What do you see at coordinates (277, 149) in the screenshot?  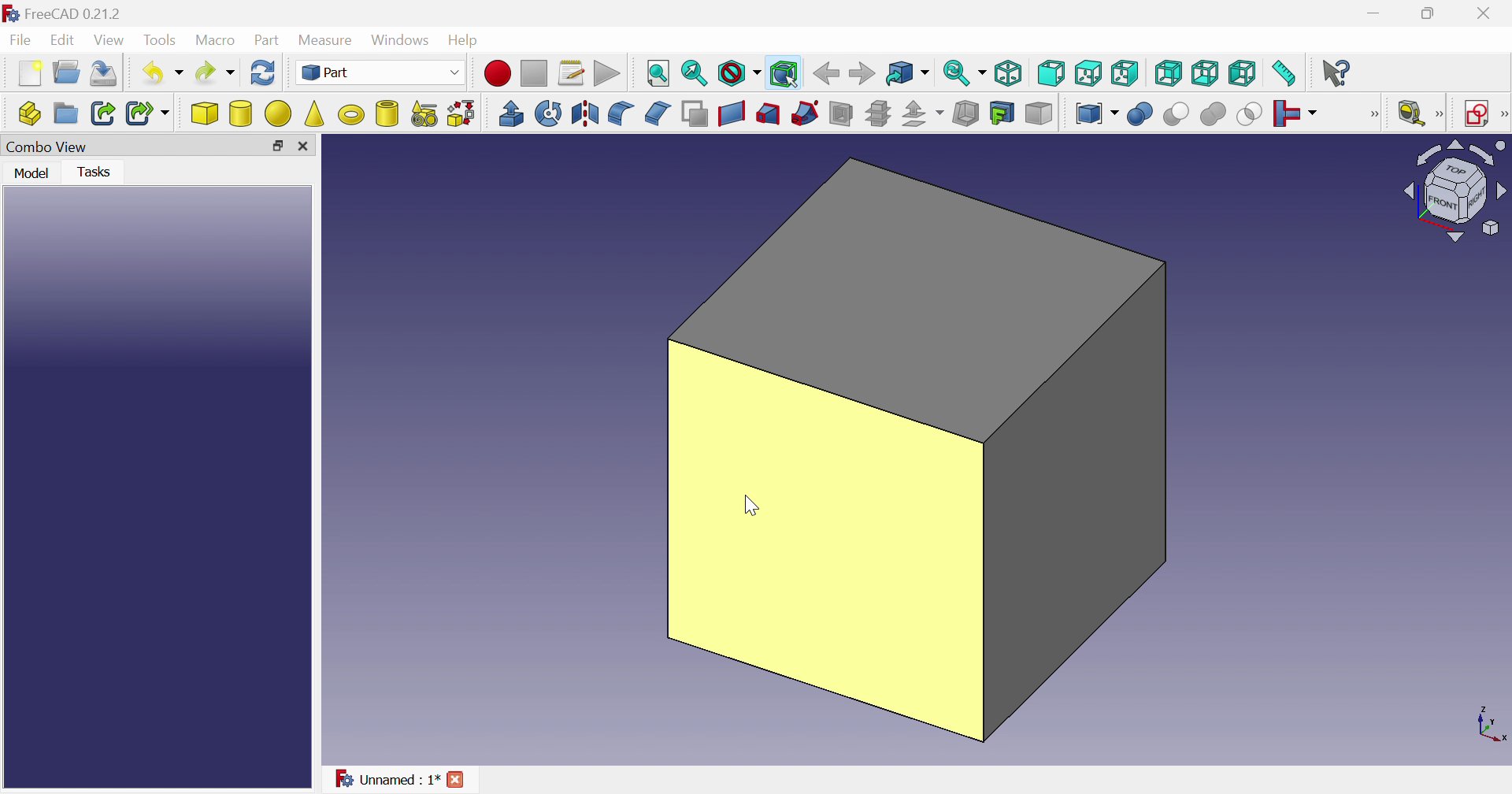 I see `Restore down` at bounding box center [277, 149].